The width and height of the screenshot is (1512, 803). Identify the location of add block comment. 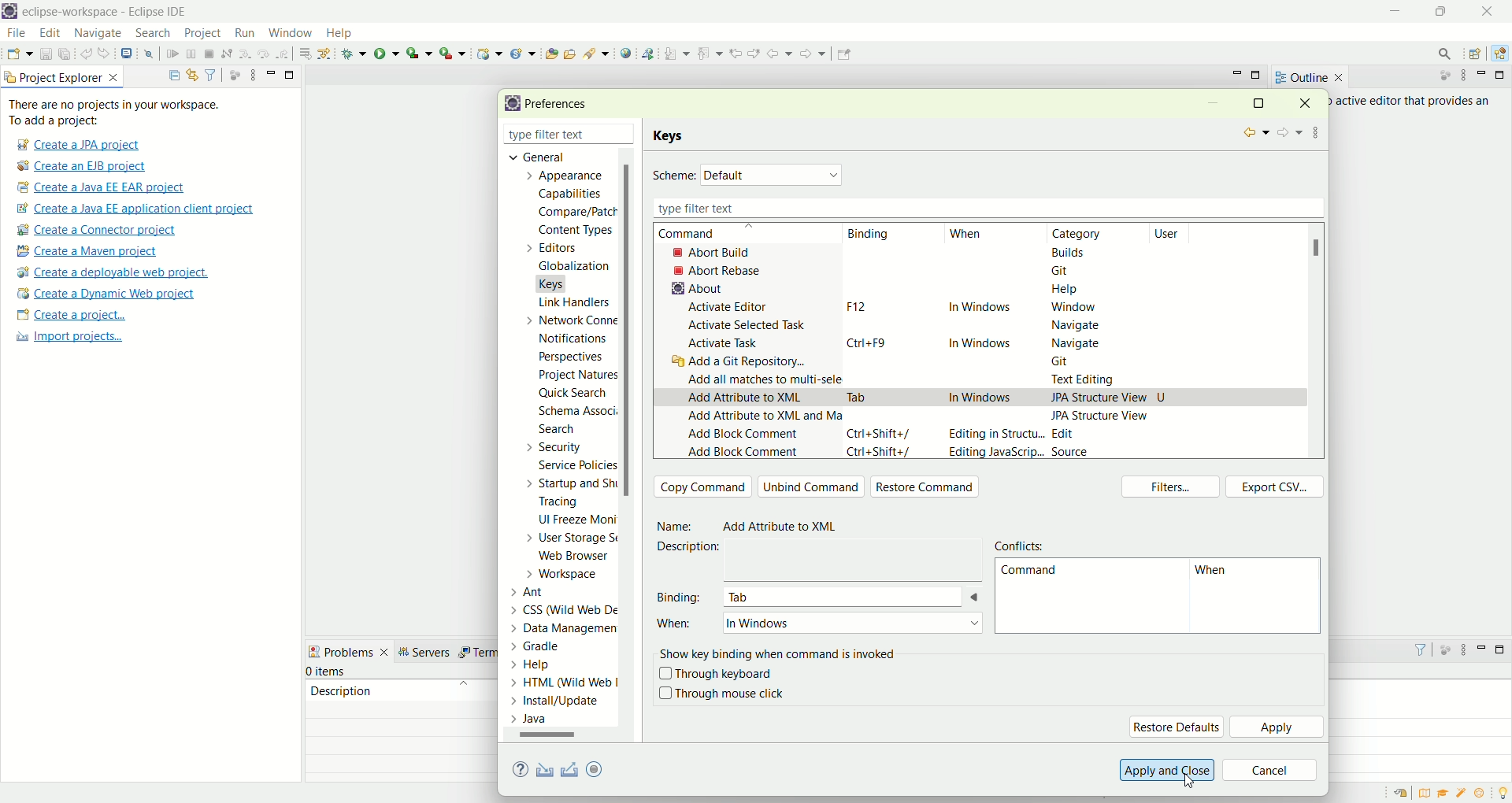
(743, 453).